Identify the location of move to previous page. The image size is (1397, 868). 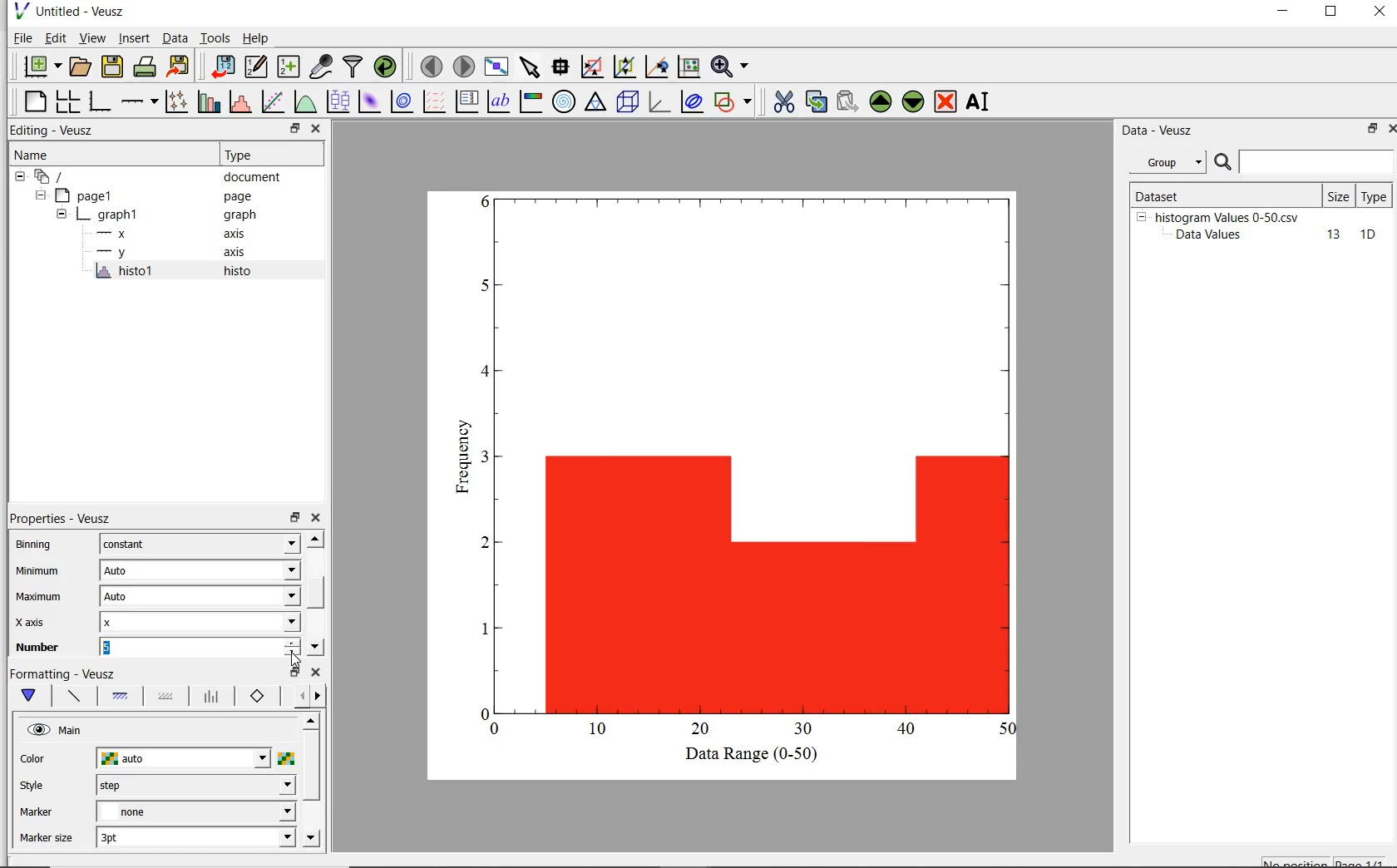
(431, 67).